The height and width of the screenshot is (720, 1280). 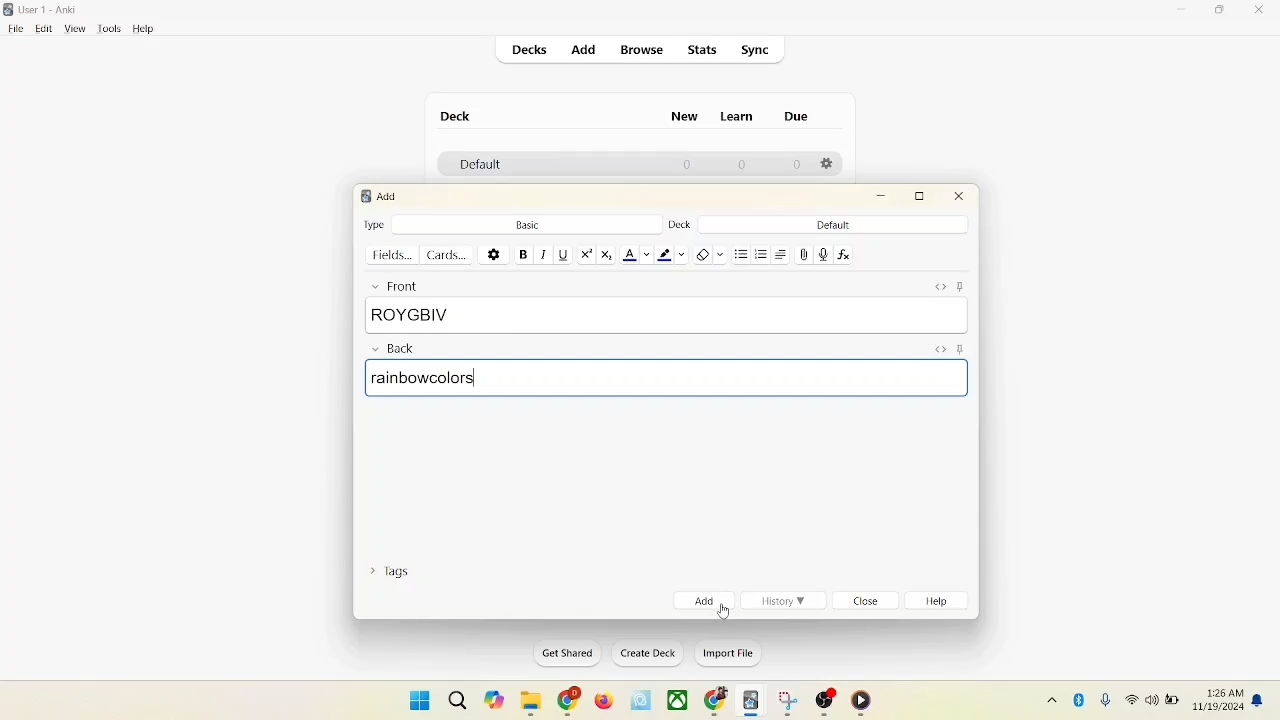 What do you see at coordinates (392, 285) in the screenshot?
I see `front` at bounding box center [392, 285].